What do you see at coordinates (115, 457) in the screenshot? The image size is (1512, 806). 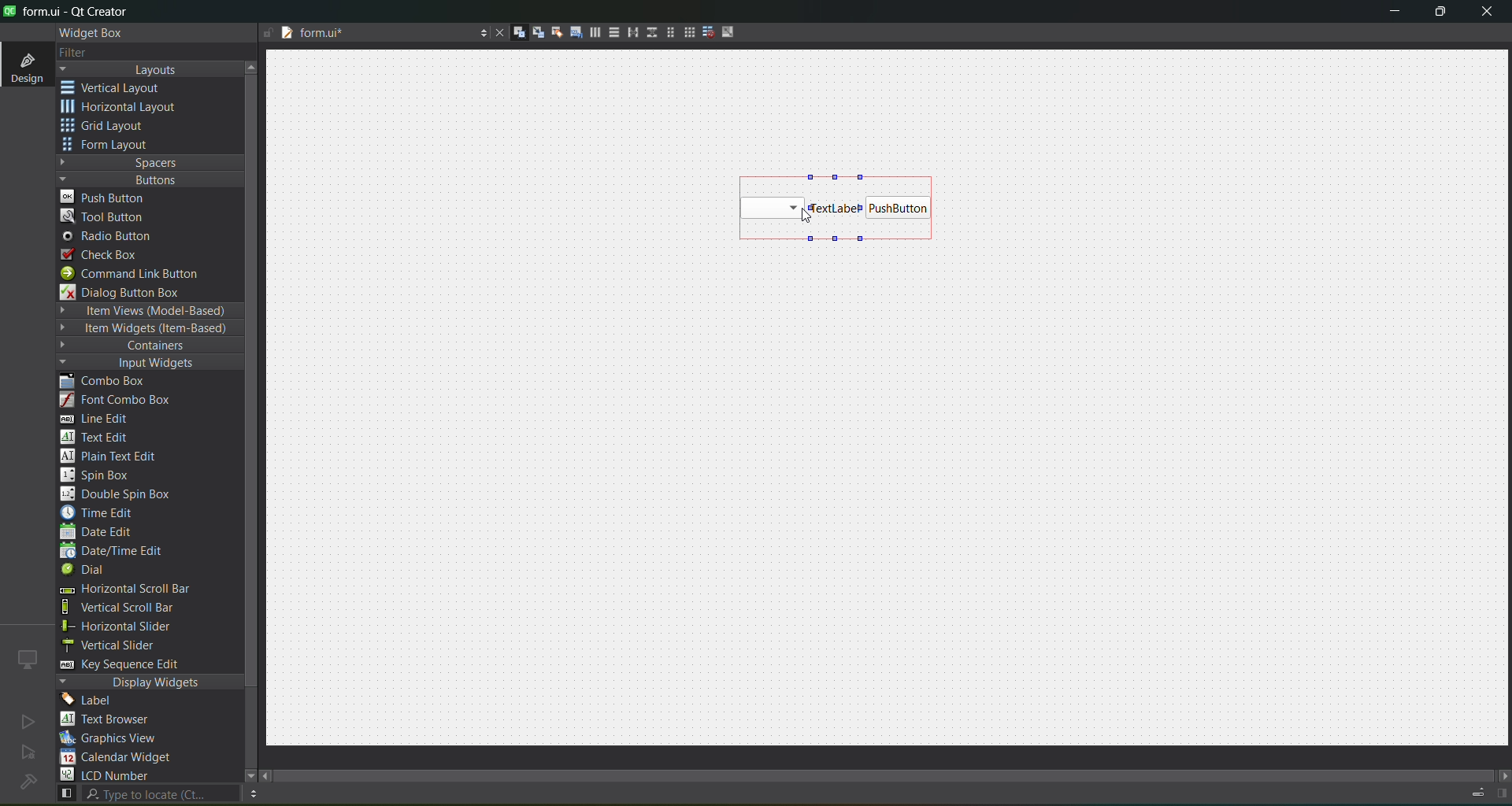 I see `plain text edit` at bounding box center [115, 457].